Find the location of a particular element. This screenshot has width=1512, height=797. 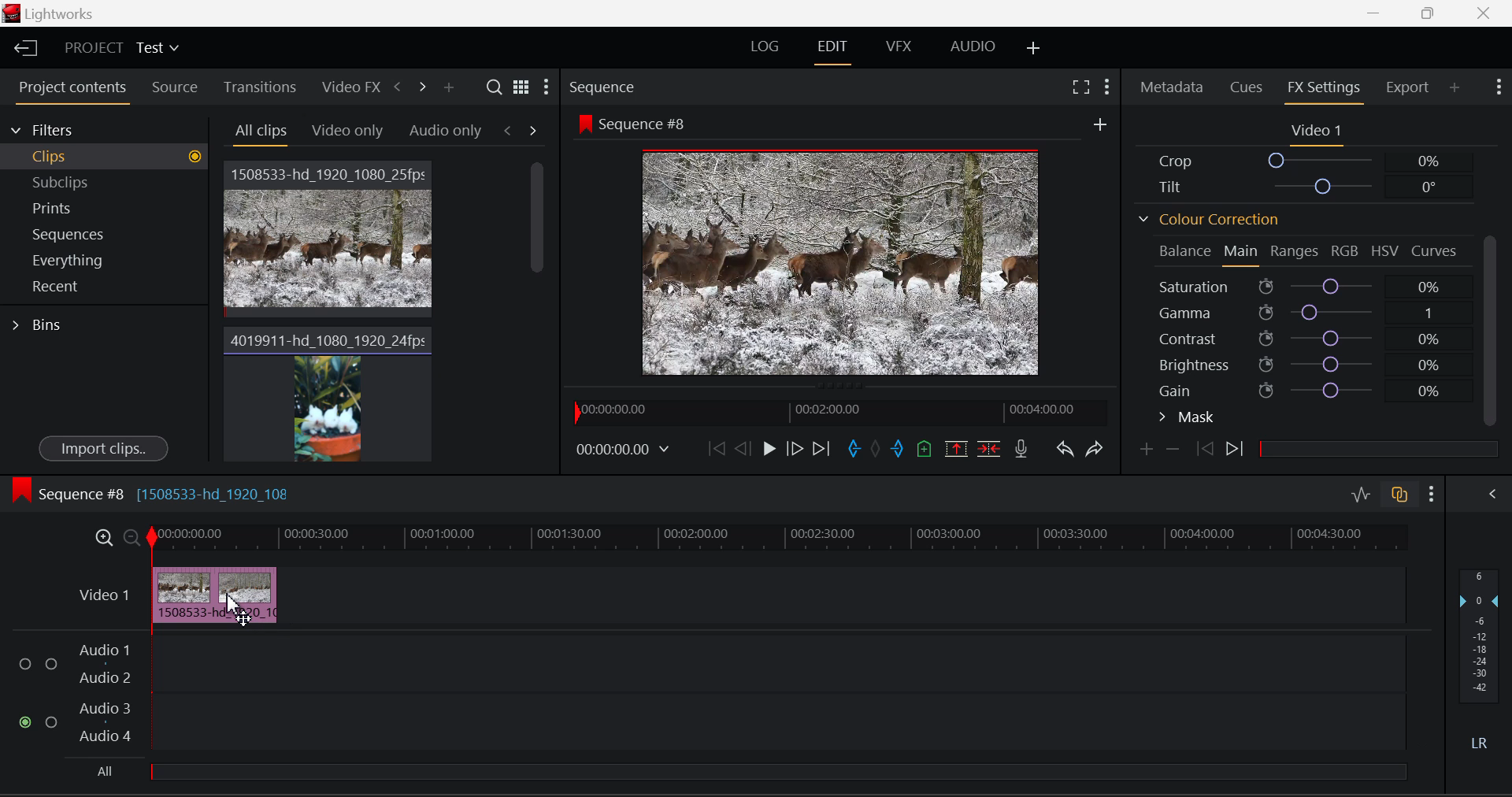

Auto Track Sync is located at coordinates (1399, 496).